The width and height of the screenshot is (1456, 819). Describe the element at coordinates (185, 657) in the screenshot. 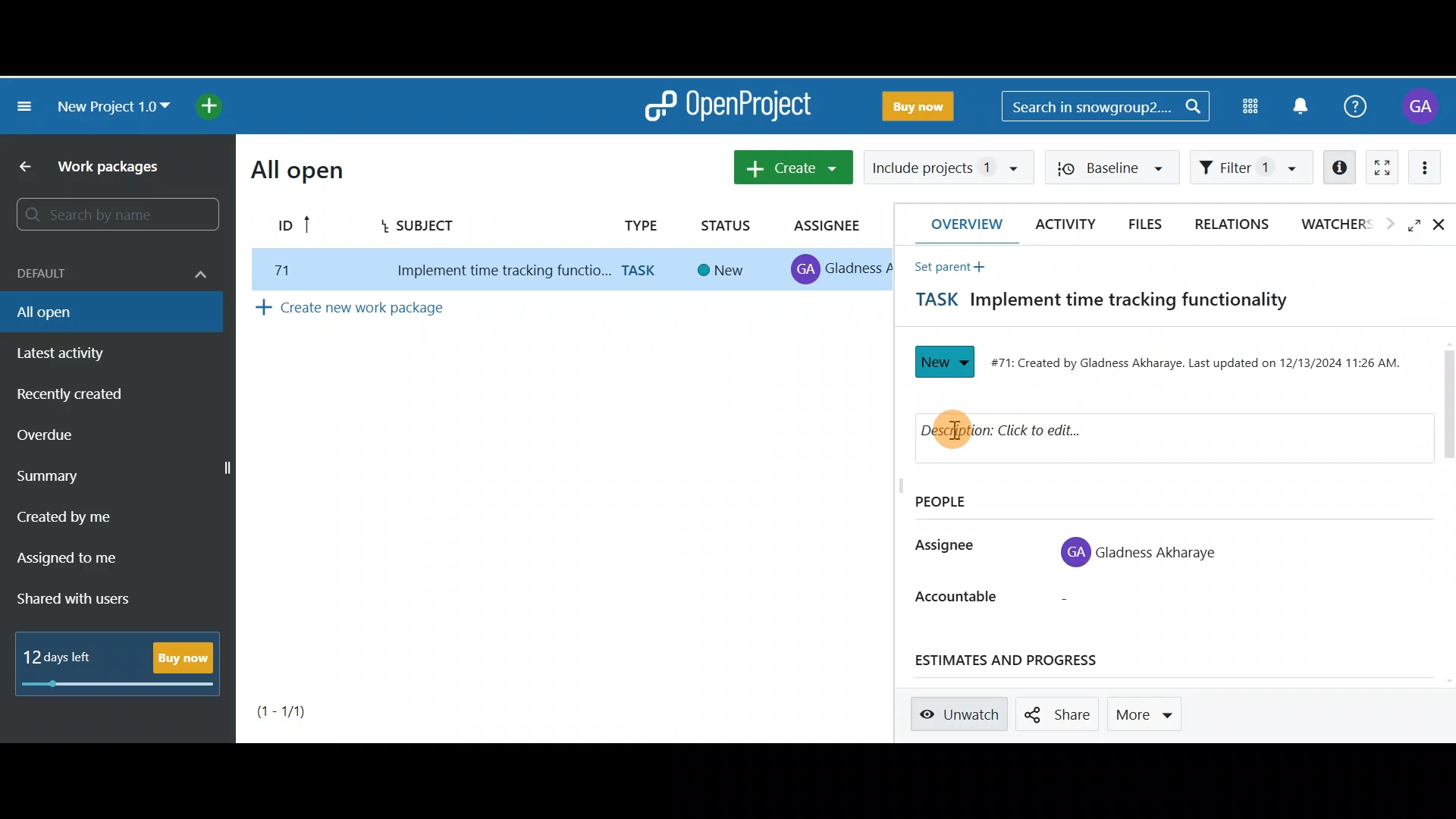

I see `Buy now` at that location.